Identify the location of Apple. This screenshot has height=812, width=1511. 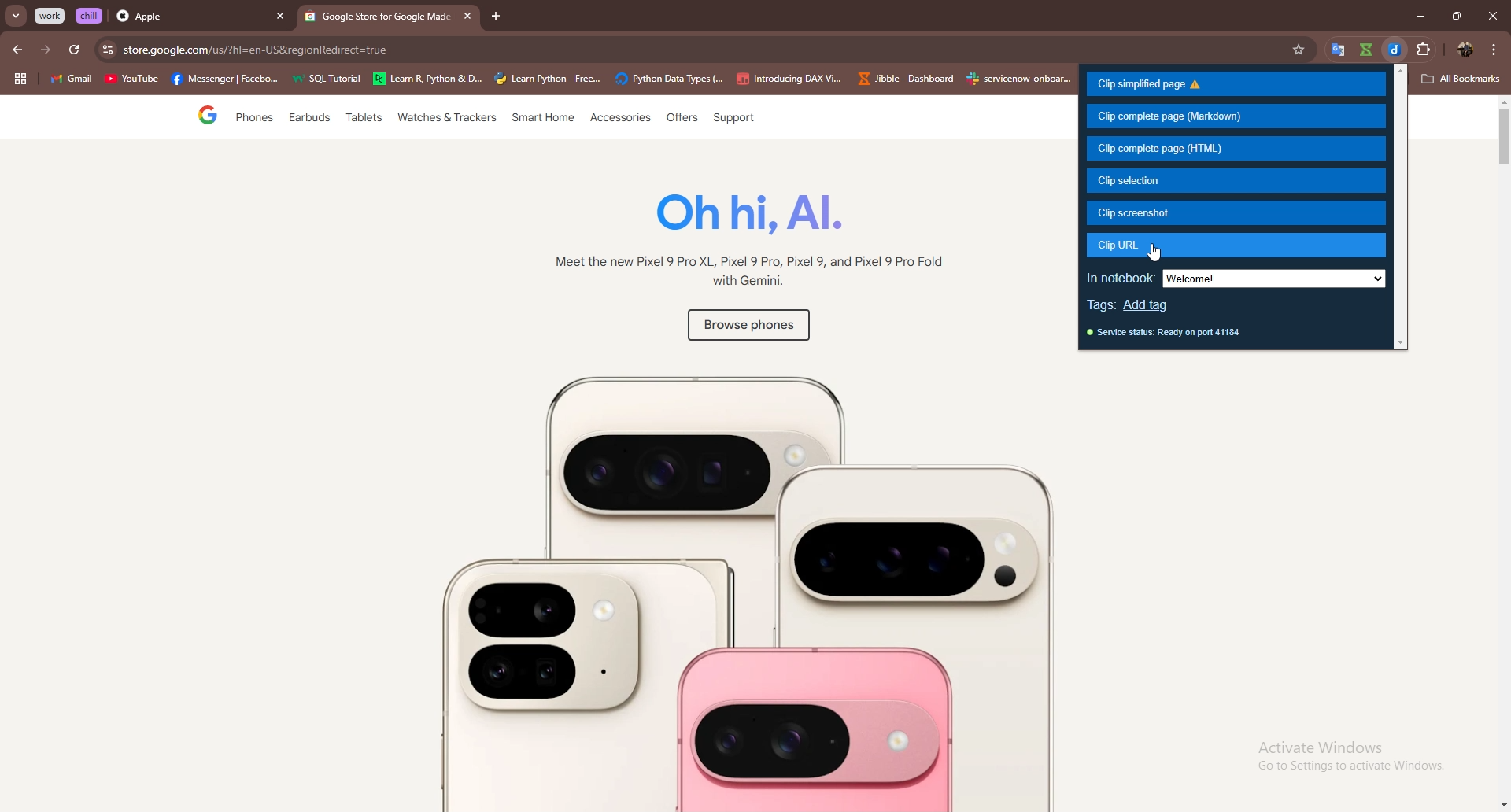
(187, 17).